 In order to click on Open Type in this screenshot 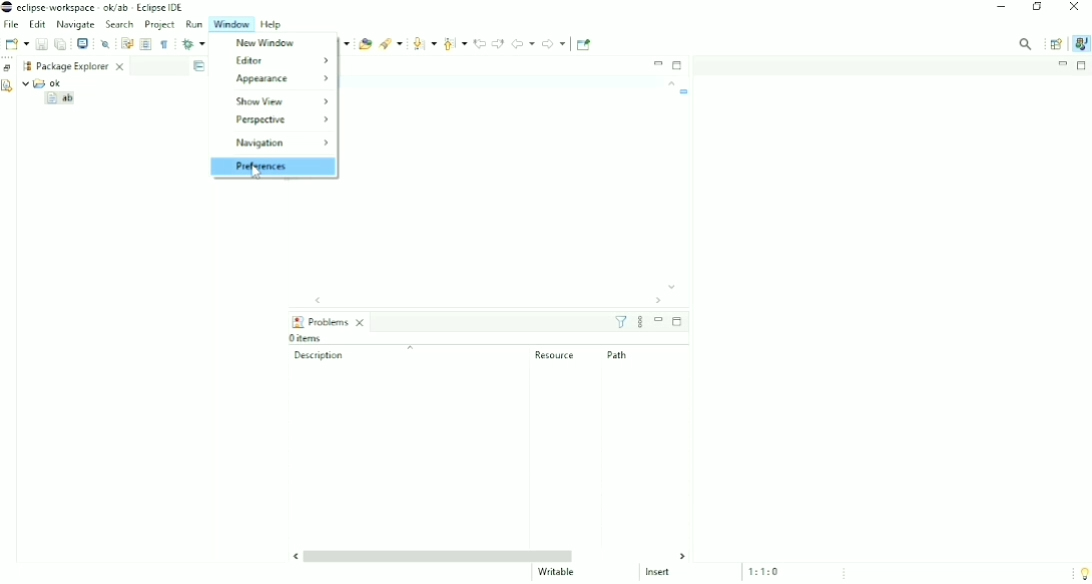, I will do `click(364, 43)`.